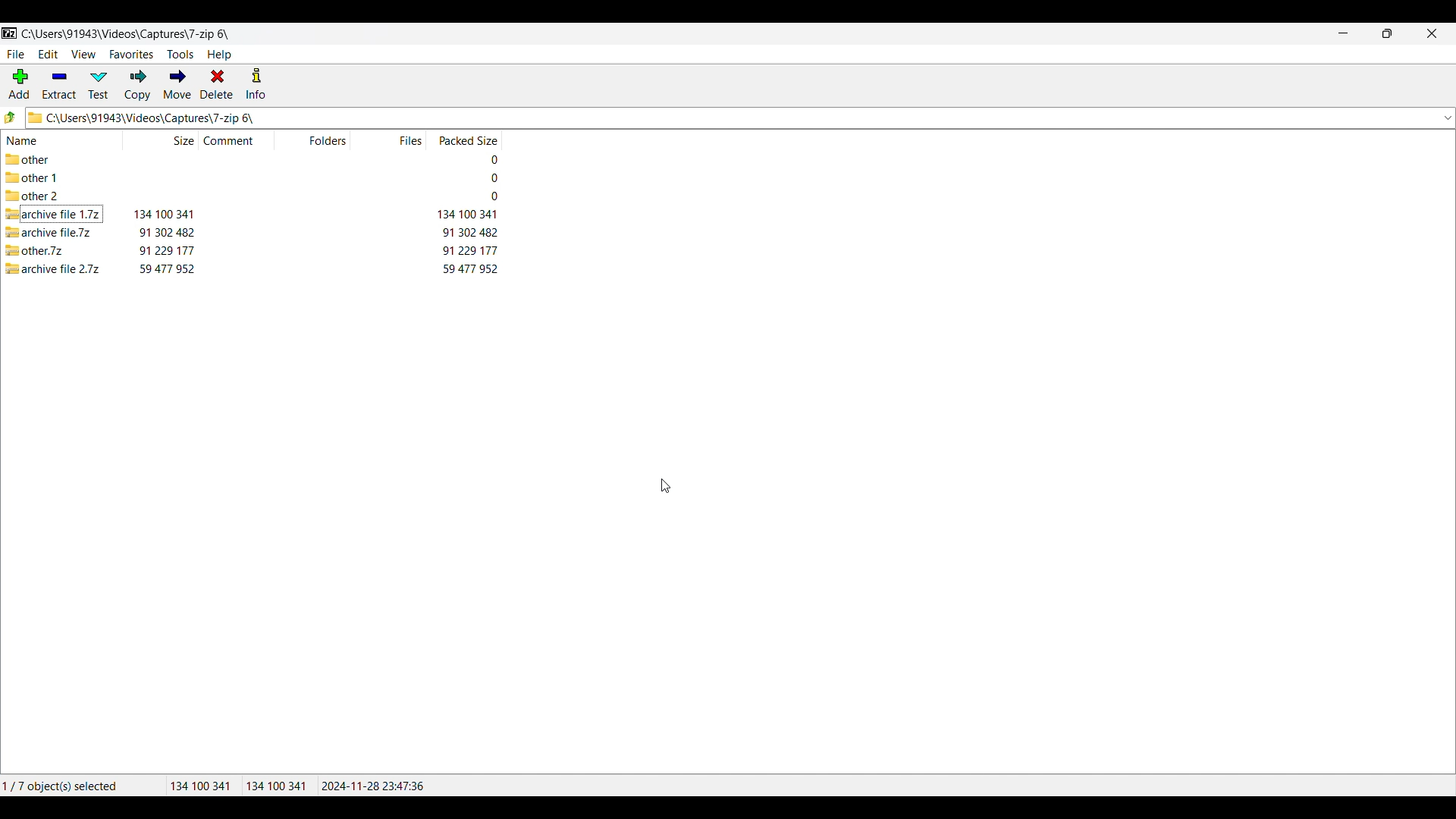  Describe the element at coordinates (166, 249) in the screenshot. I see `size` at that location.